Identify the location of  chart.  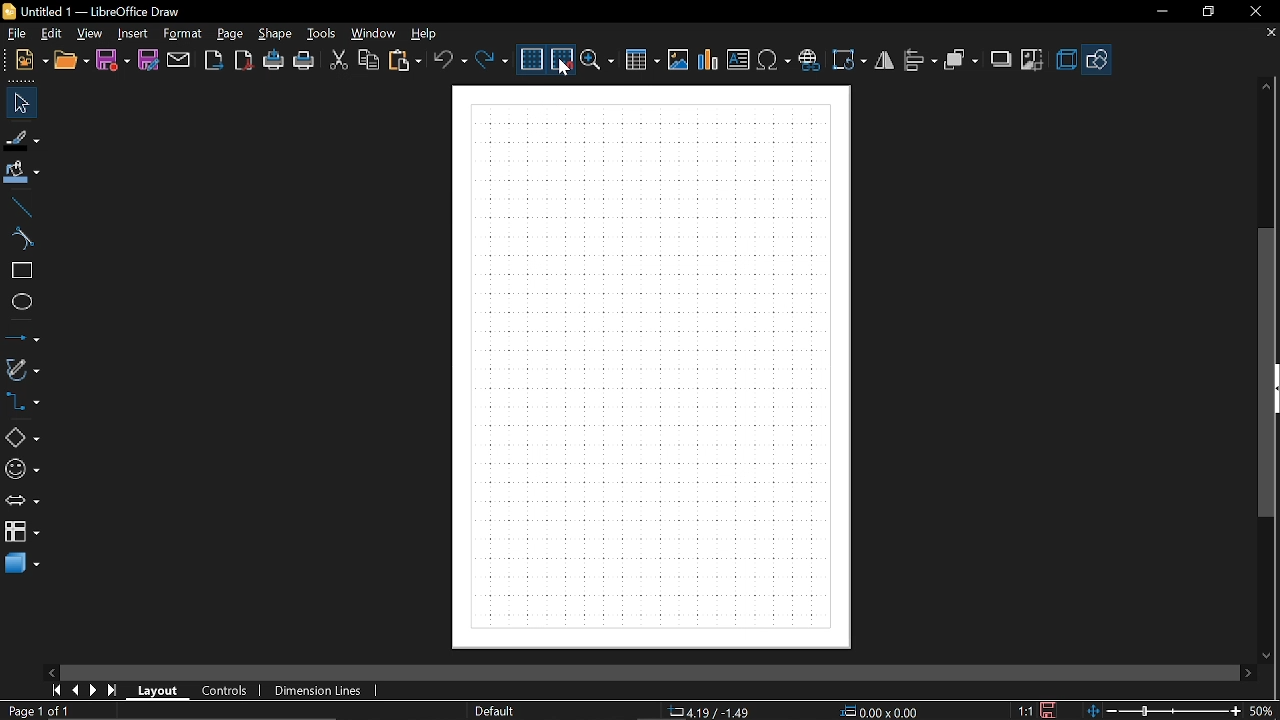
(709, 59).